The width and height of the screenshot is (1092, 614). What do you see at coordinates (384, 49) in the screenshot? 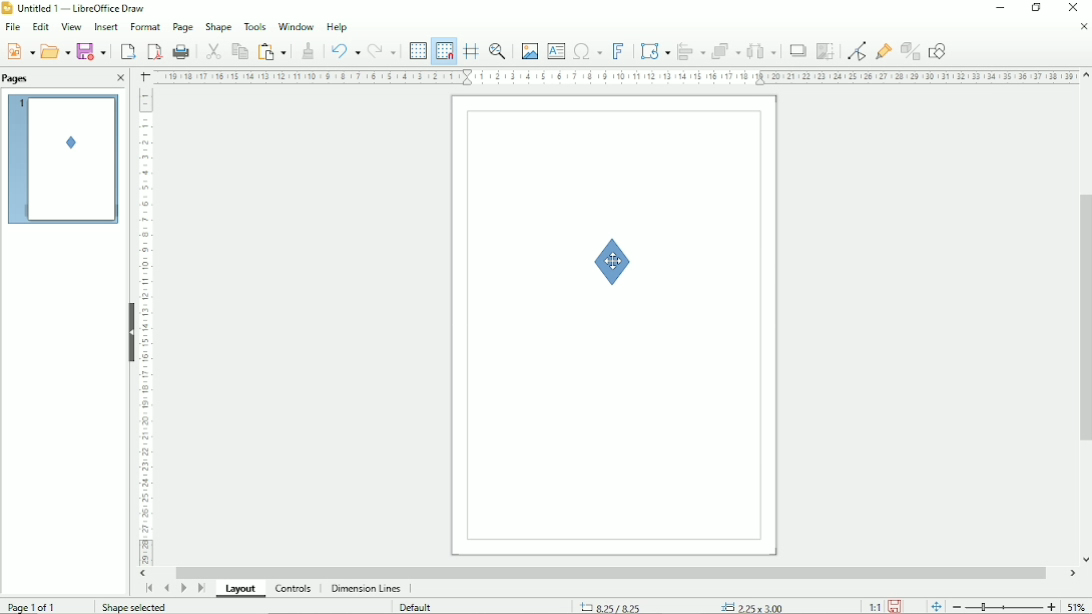
I see `Redo` at bounding box center [384, 49].